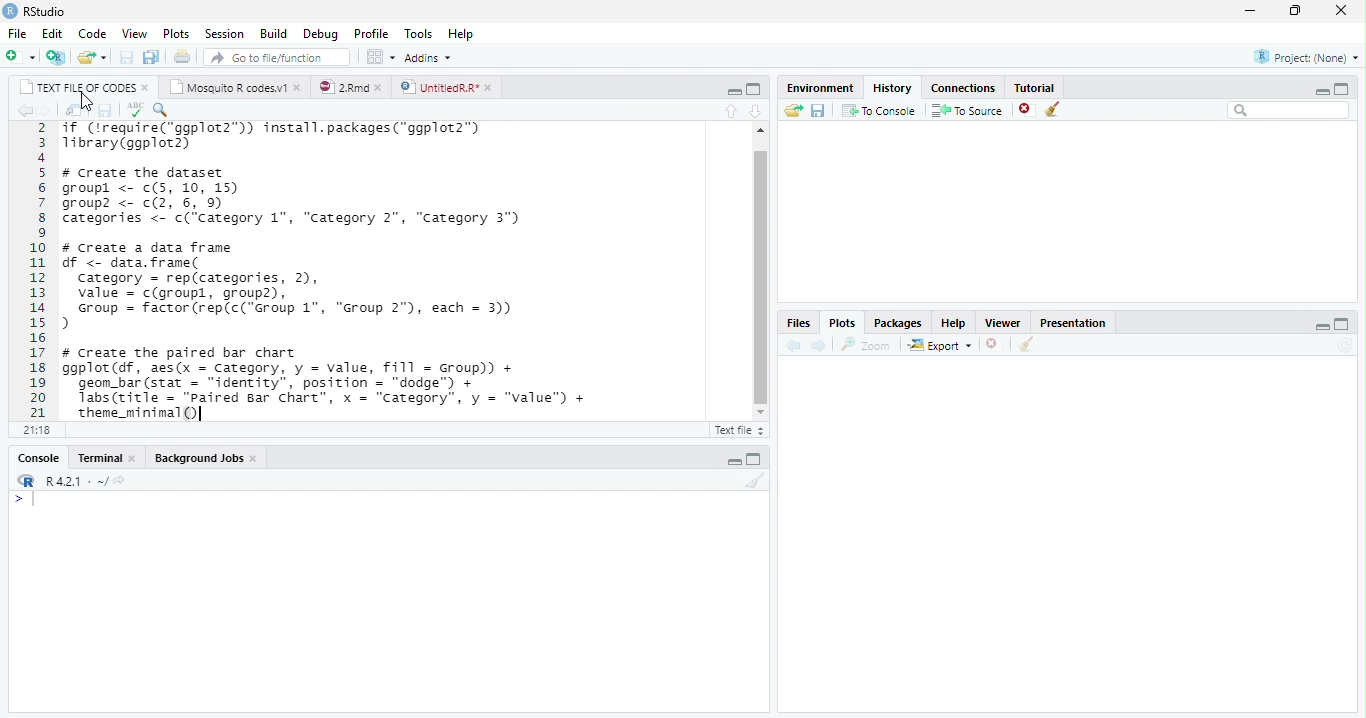  Describe the element at coordinates (78, 88) in the screenshot. I see `text file of codes` at that location.